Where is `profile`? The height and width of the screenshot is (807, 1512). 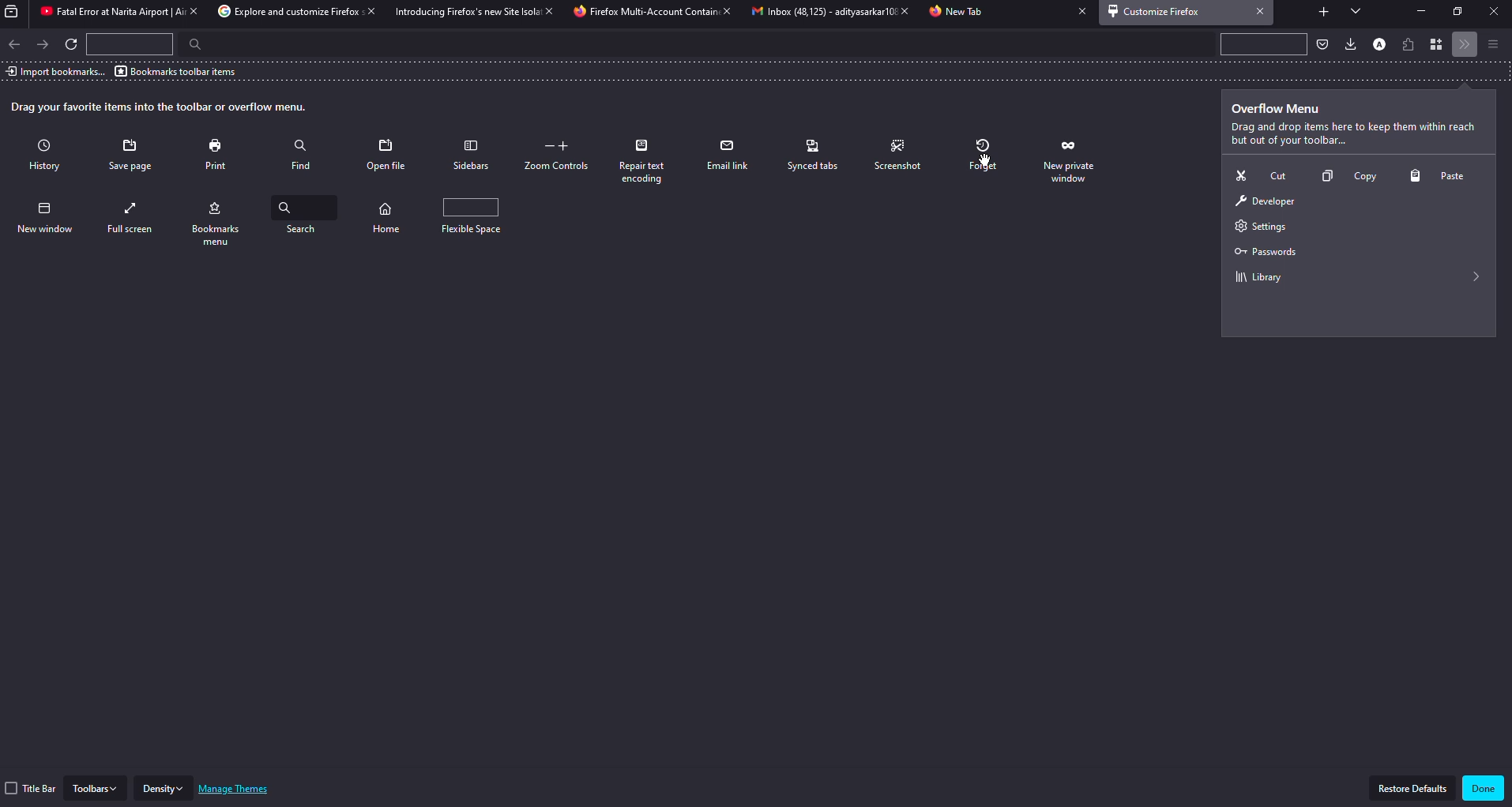 profile is located at coordinates (1378, 43).